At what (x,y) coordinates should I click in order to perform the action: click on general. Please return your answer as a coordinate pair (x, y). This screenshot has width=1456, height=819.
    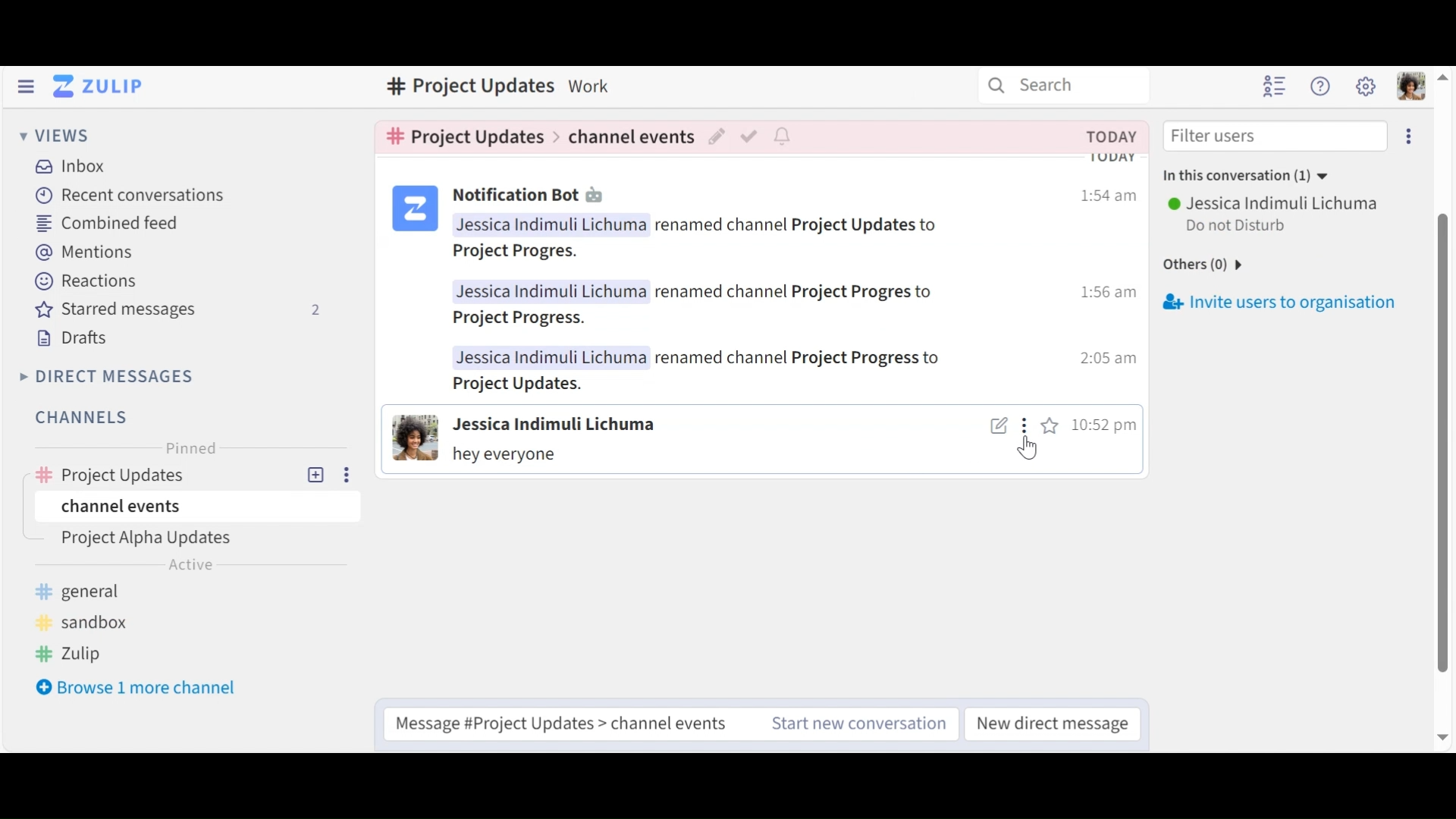
    Looking at the image, I should click on (87, 591).